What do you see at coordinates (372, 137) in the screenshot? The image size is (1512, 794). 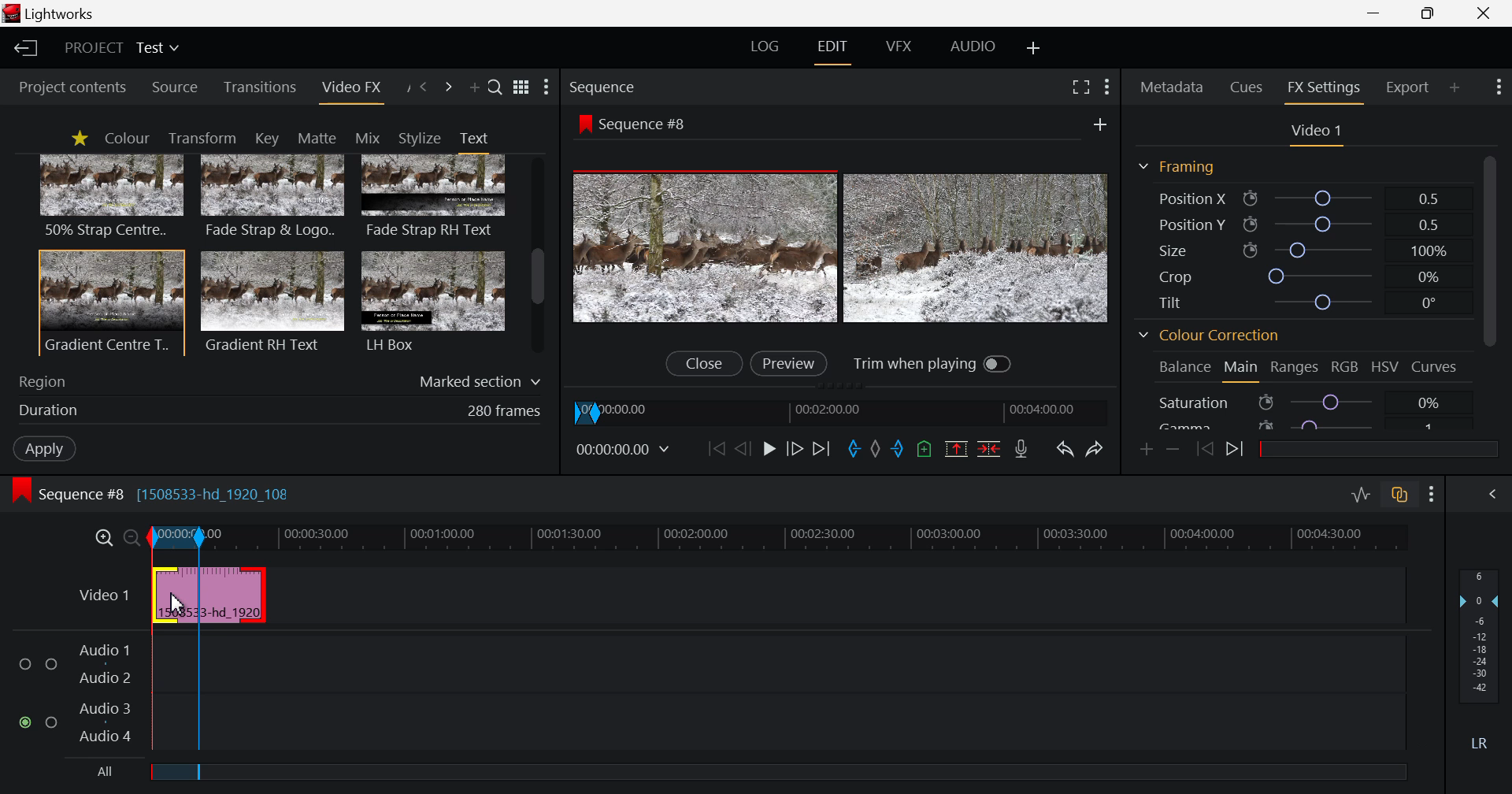 I see `Mix` at bounding box center [372, 137].